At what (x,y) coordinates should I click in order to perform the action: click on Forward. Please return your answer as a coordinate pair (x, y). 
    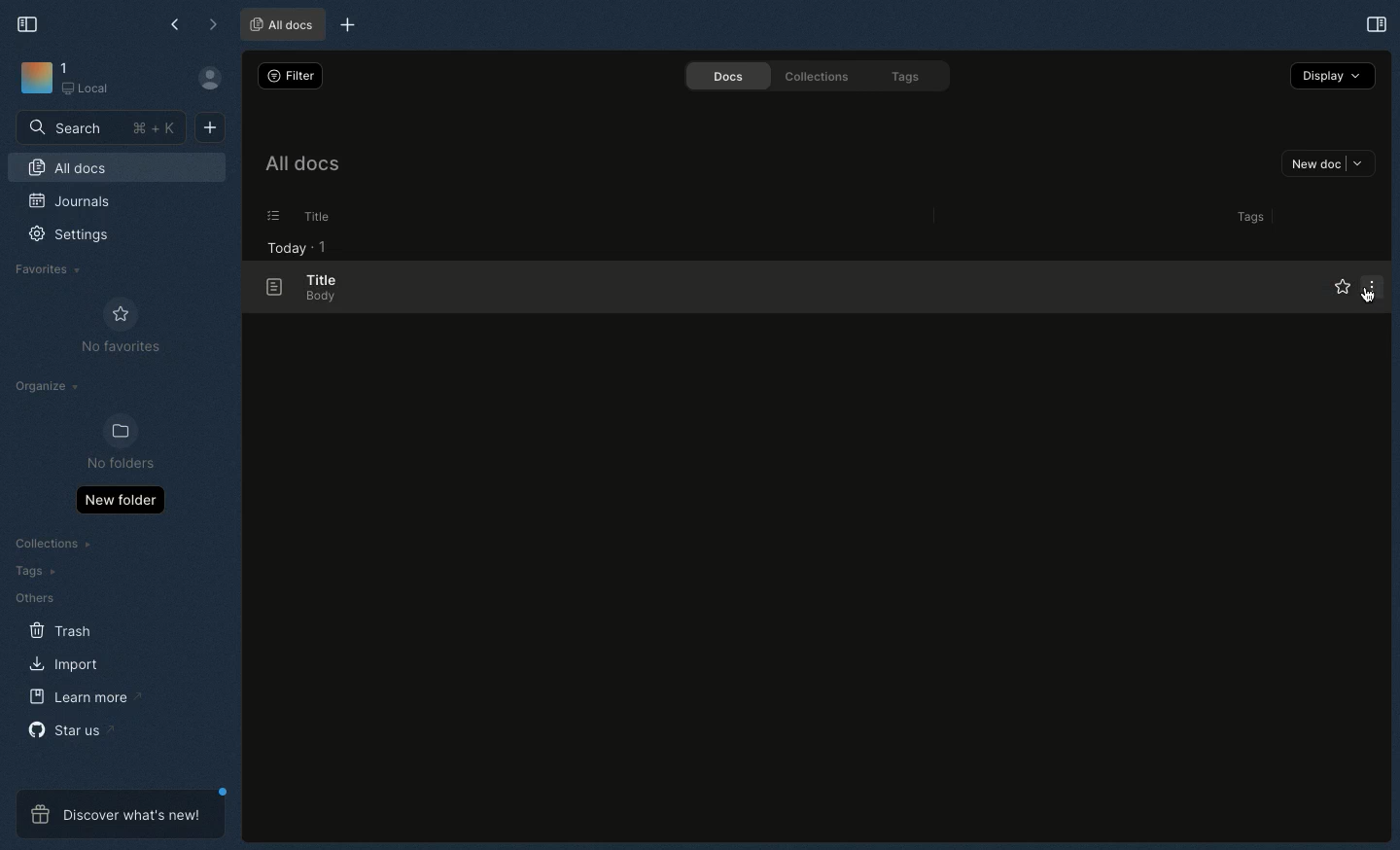
    Looking at the image, I should click on (213, 26).